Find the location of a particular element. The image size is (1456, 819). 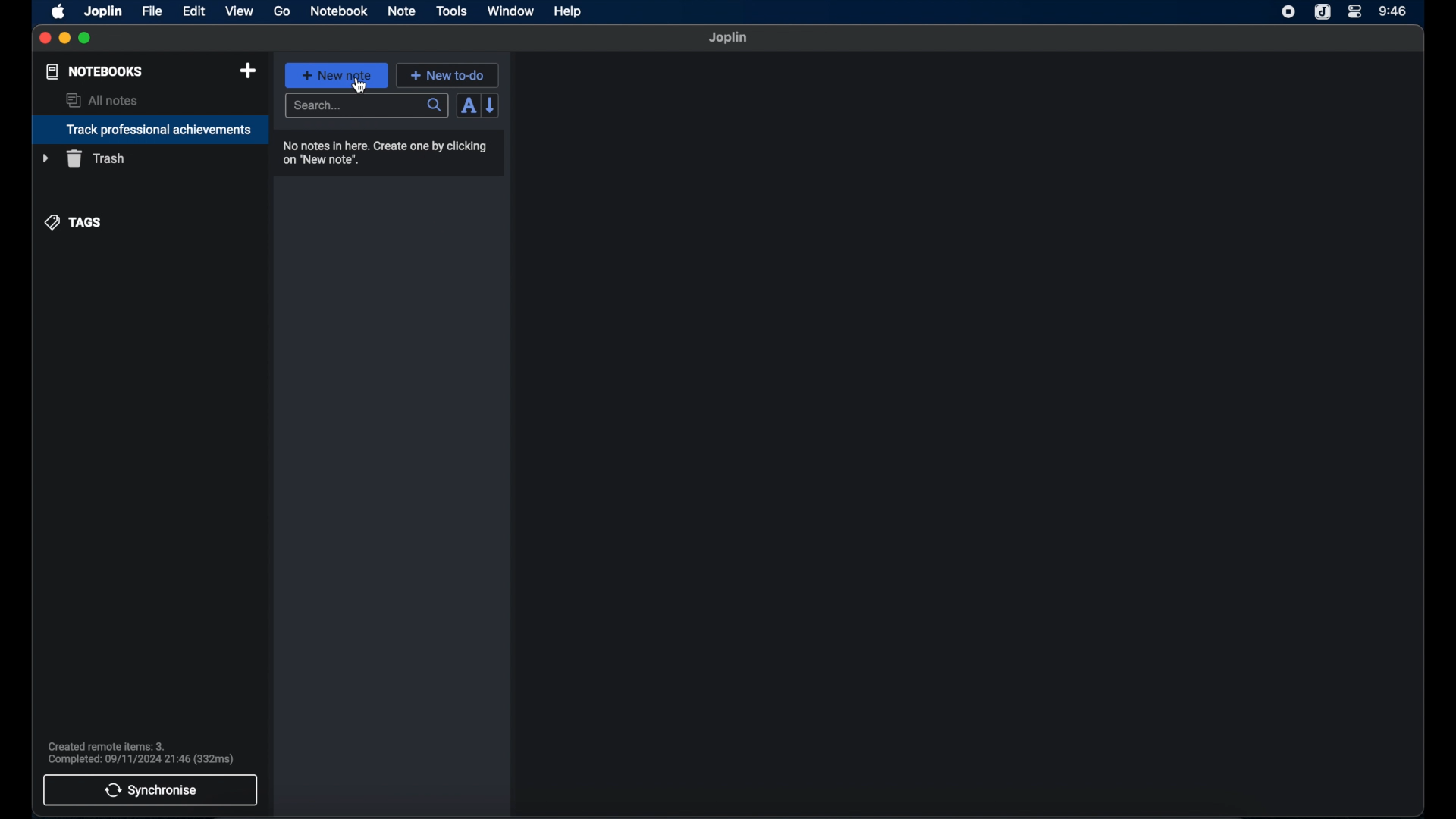

tools is located at coordinates (452, 11).